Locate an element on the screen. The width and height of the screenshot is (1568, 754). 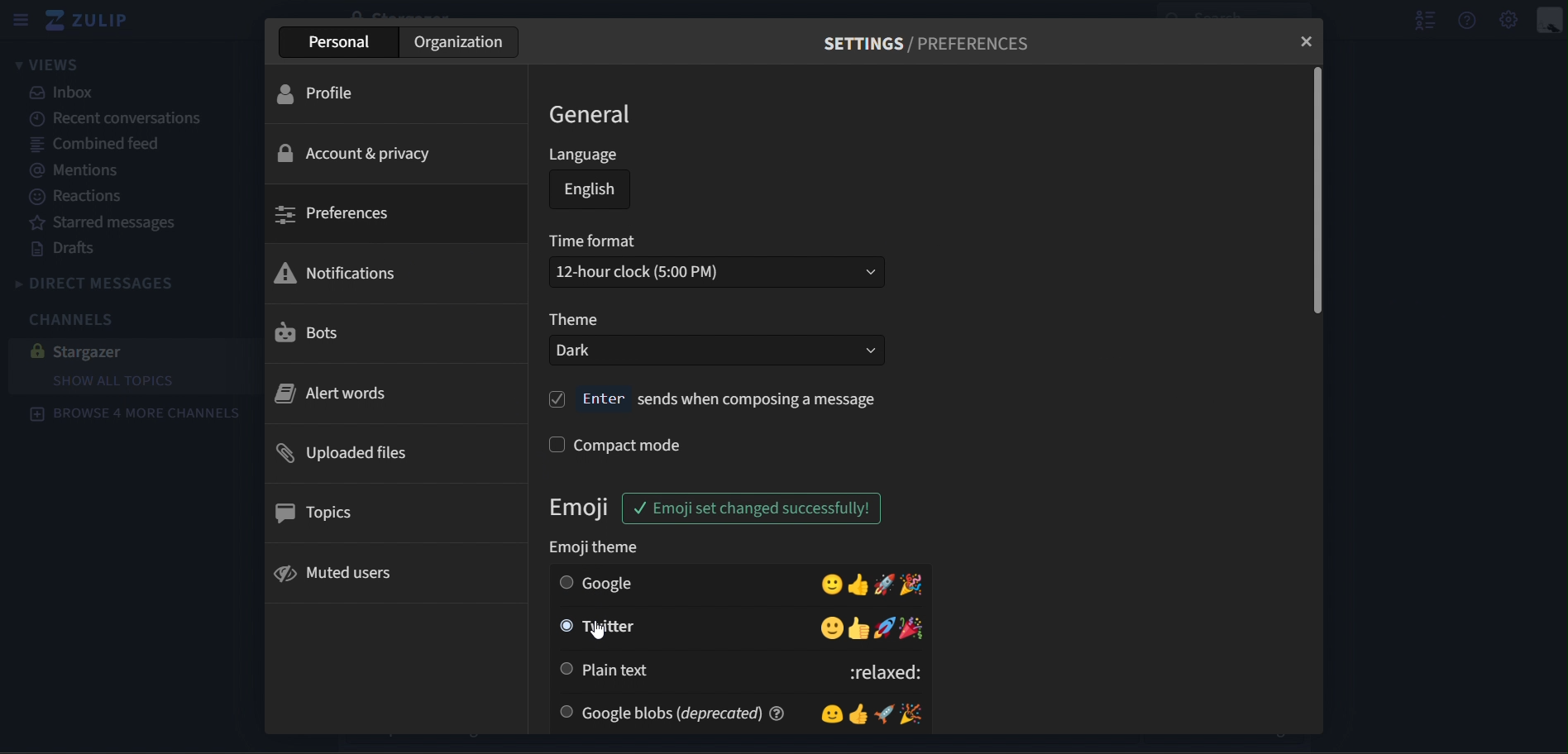
account & privacy is located at coordinates (354, 152).